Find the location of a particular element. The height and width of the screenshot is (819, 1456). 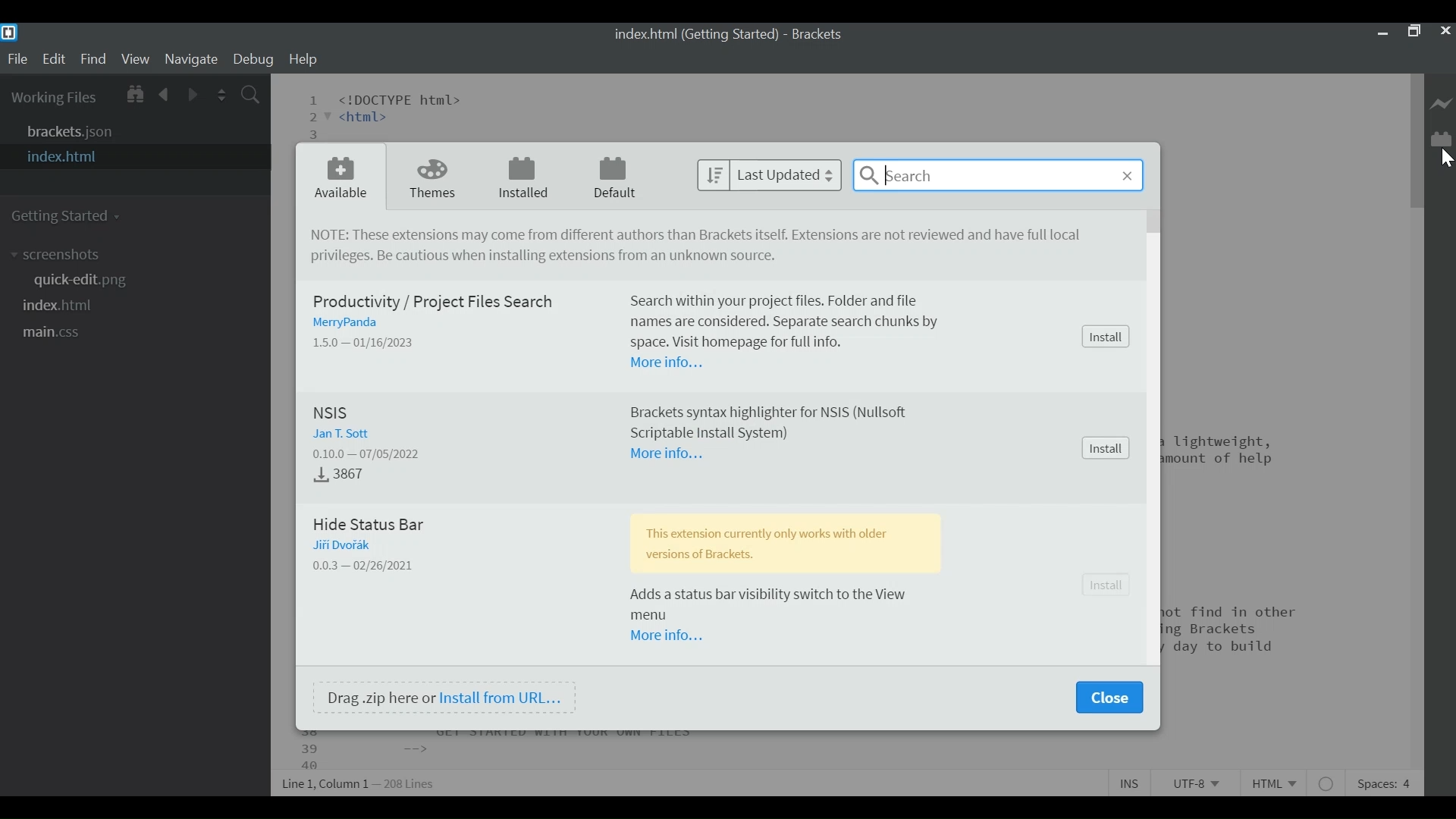

screenshot is located at coordinates (63, 255).